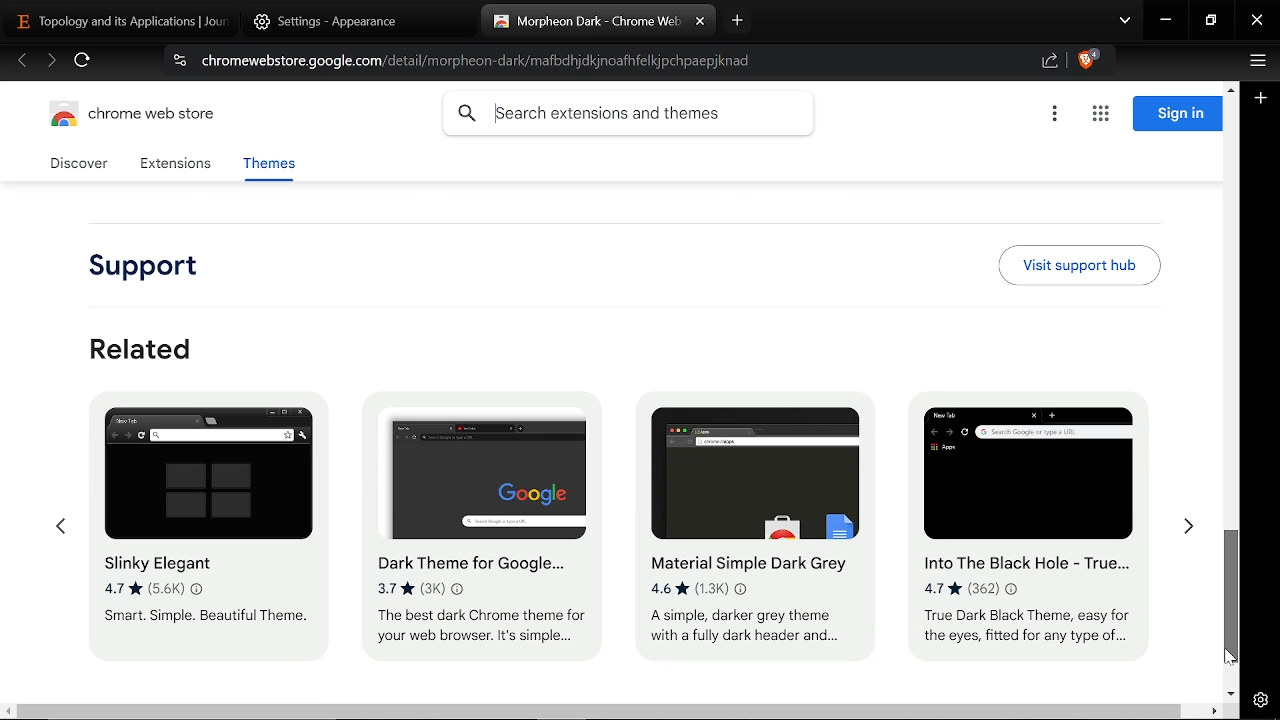 The image size is (1280, 720). Describe the element at coordinates (83, 63) in the screenshot. I see `Refesh` at that location.